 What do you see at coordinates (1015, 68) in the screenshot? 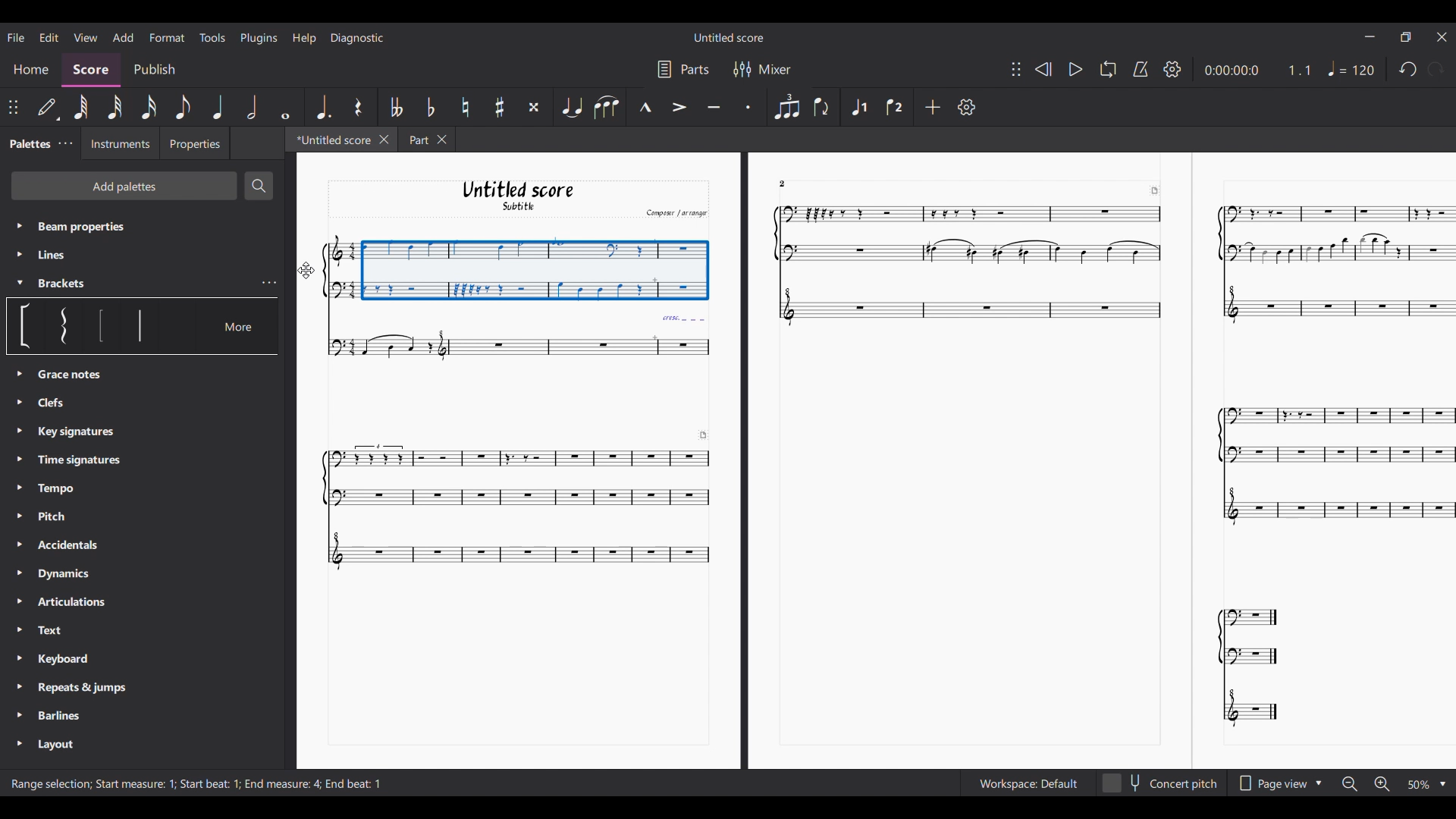
I see `Change position` at bounding box center [1015, 68].